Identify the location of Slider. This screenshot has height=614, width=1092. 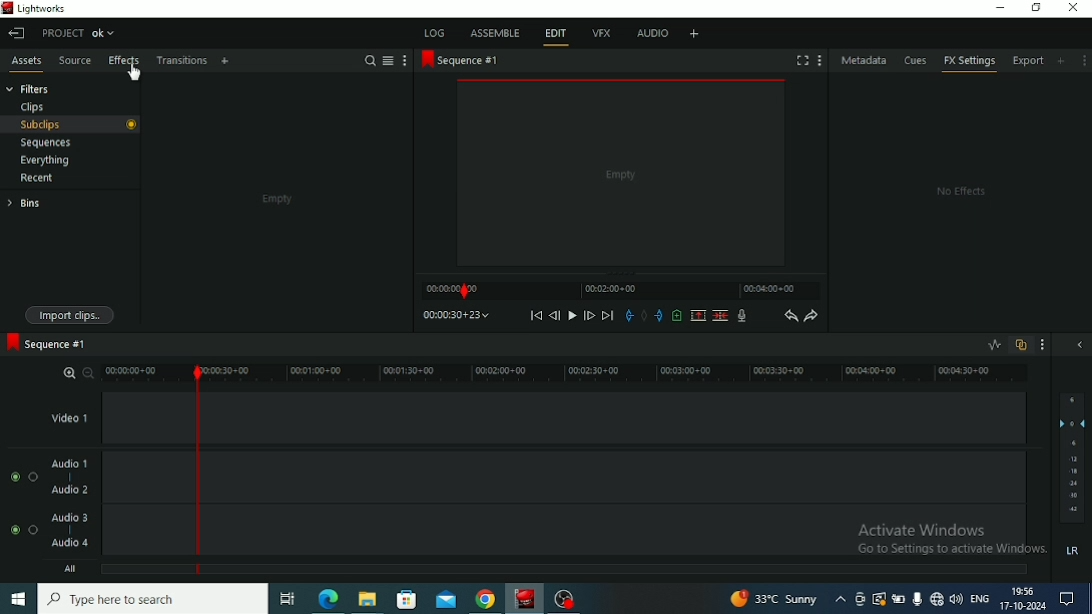
(621, 373).